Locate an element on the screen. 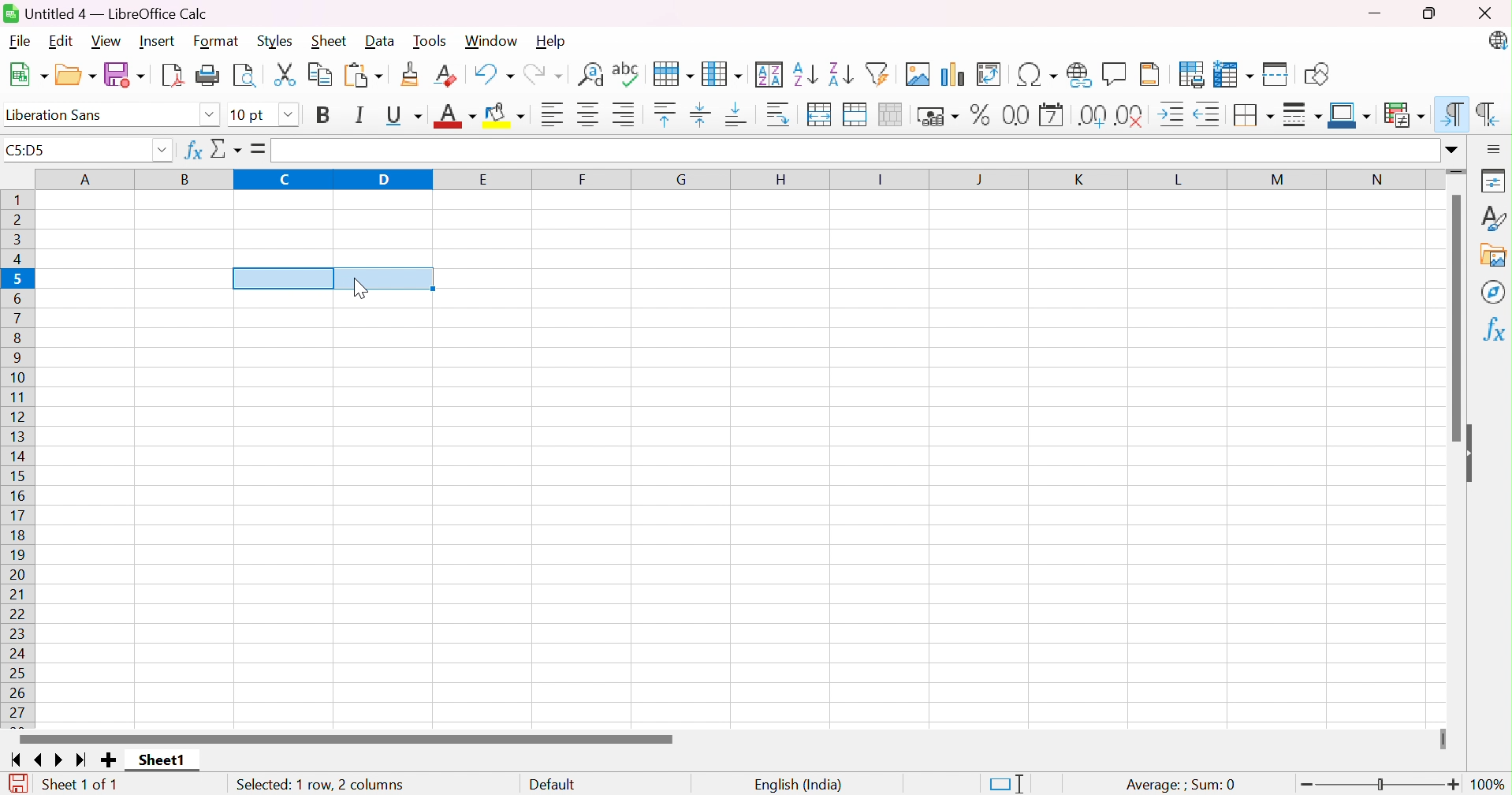  Wrap Text is located at coordinates (779, 114).